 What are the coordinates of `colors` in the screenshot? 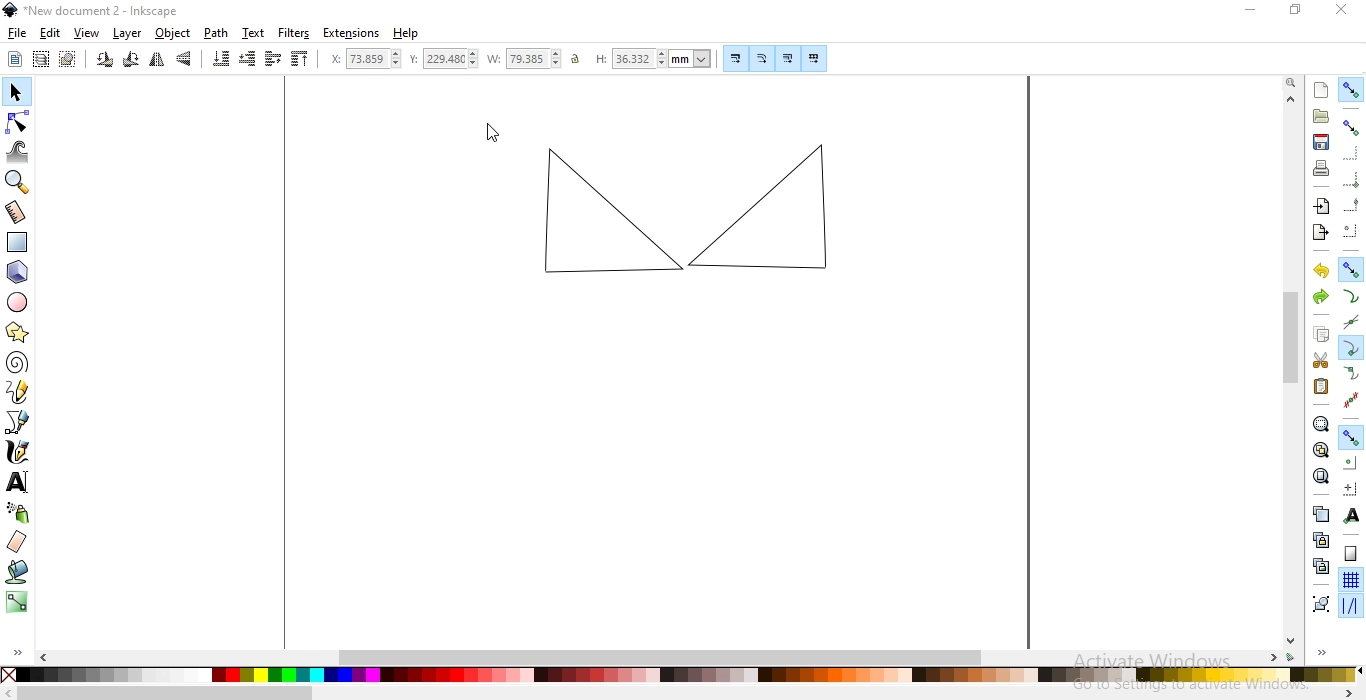 It's located at (681, 676).